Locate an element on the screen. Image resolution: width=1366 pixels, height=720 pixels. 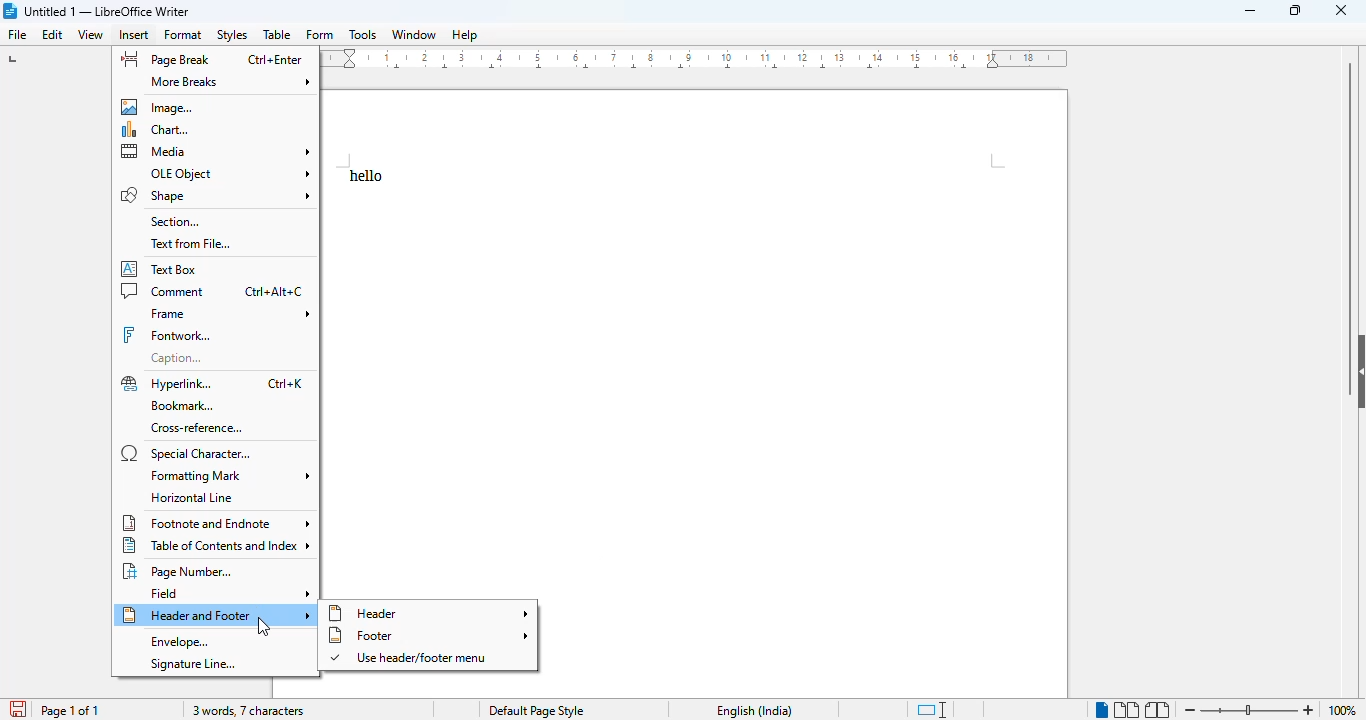
header is located at coordinates (430, 613).